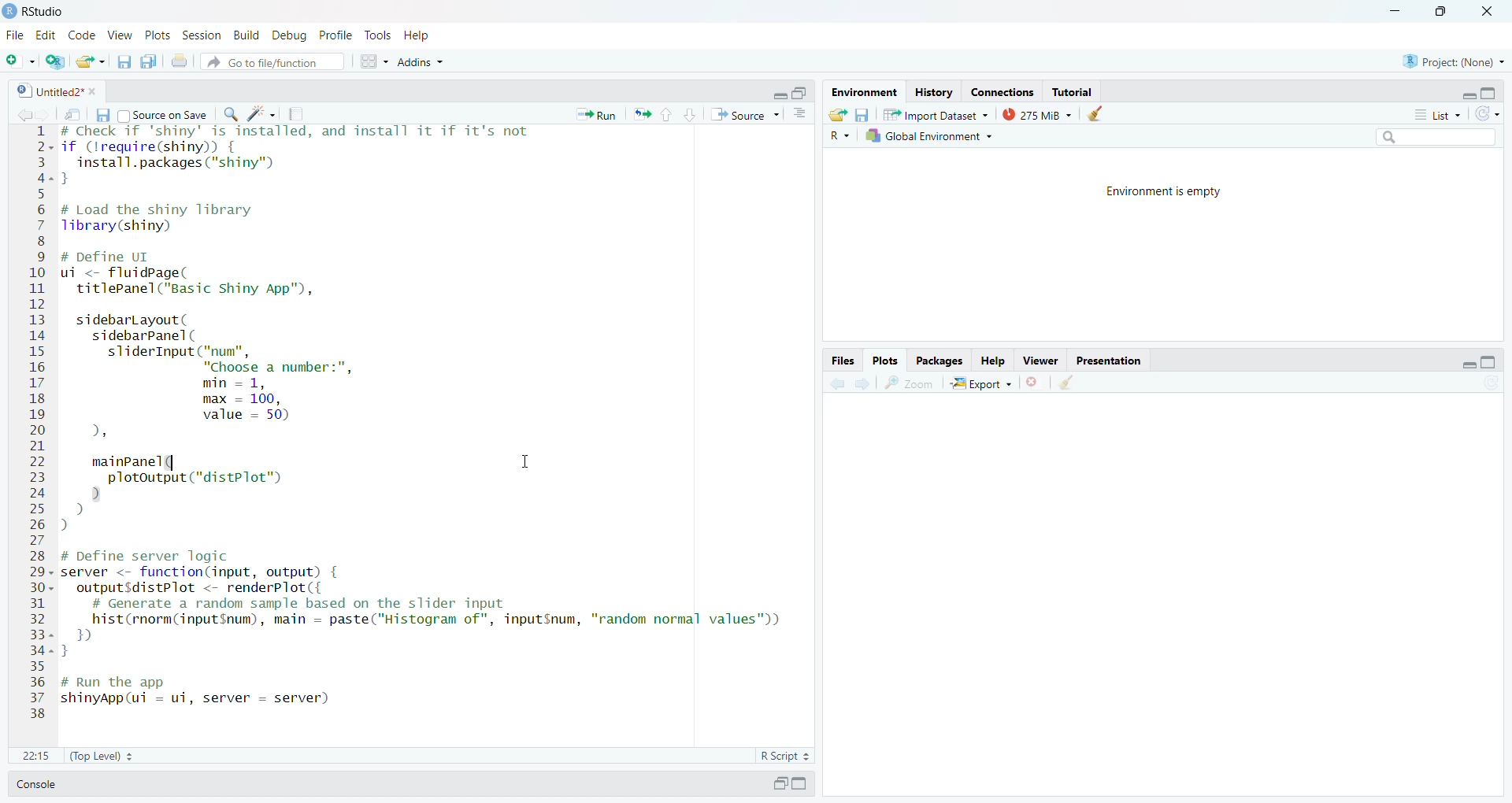 The image size is (1512, 803). I want to click on Global Environment, so click(932, 135).